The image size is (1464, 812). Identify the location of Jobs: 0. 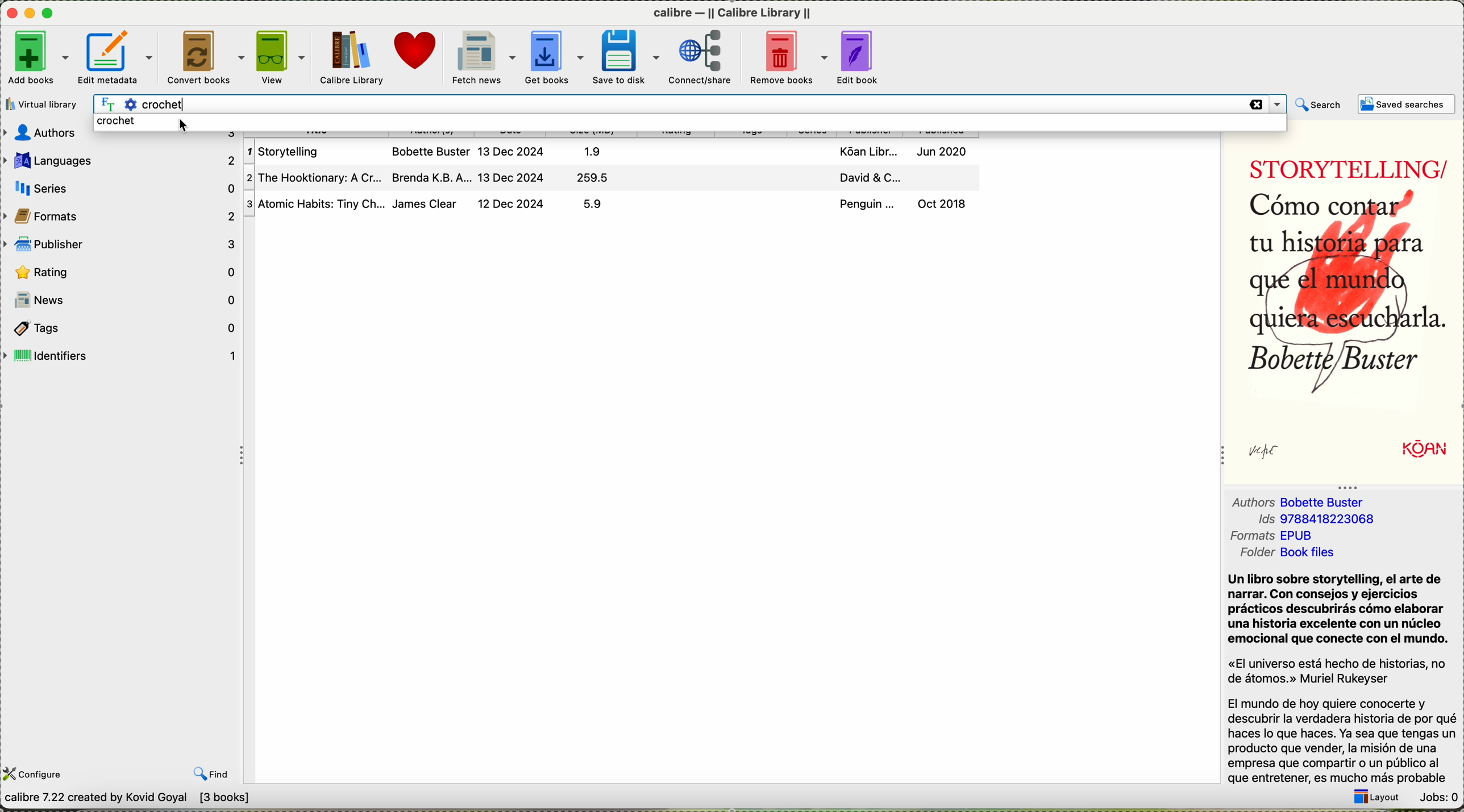
(1437, 797).